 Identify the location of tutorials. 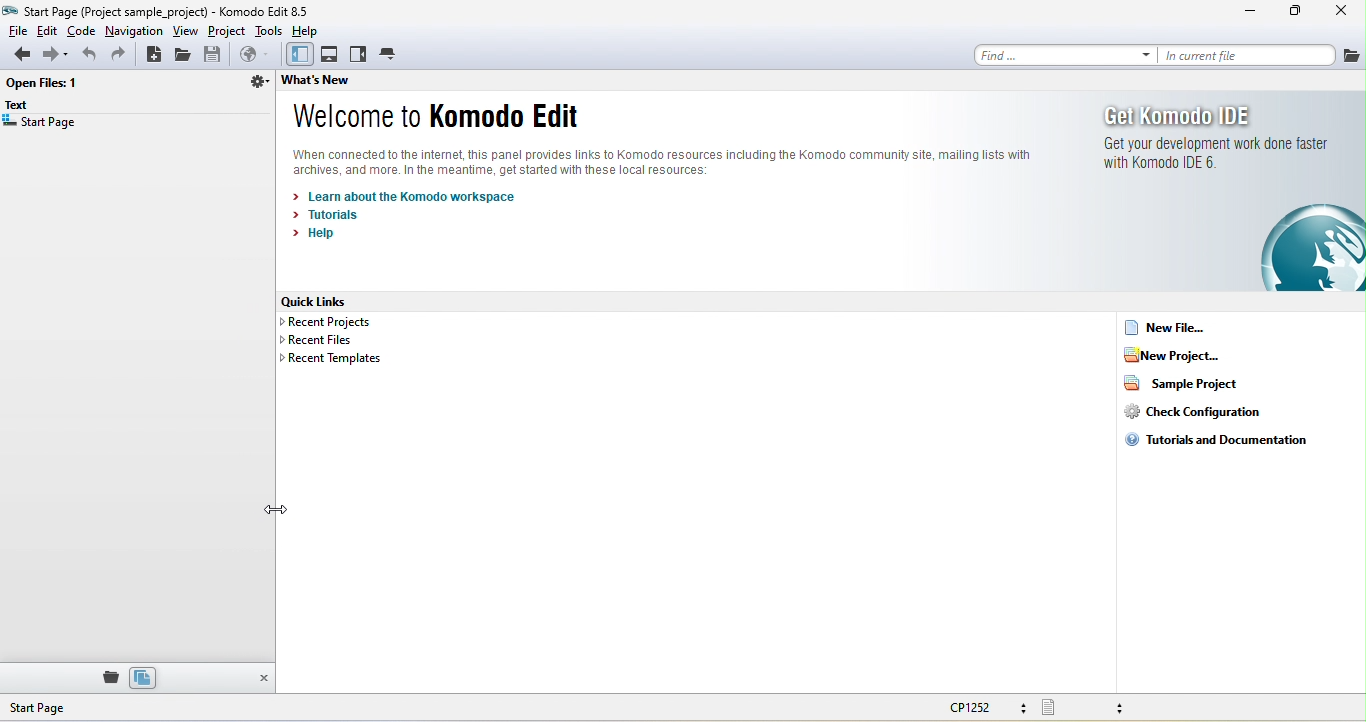
(334, 215).